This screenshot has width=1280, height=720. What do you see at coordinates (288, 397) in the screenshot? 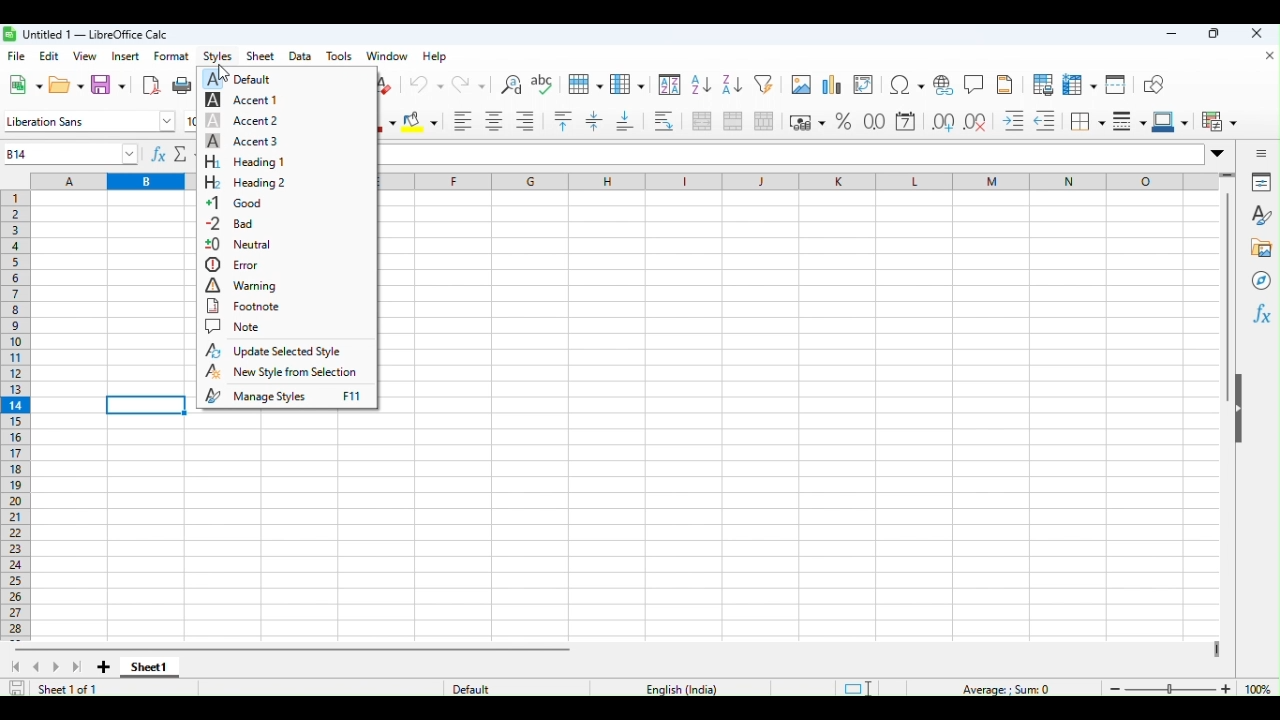
I see `Manage styles F11` at bounding box center [288, 397].